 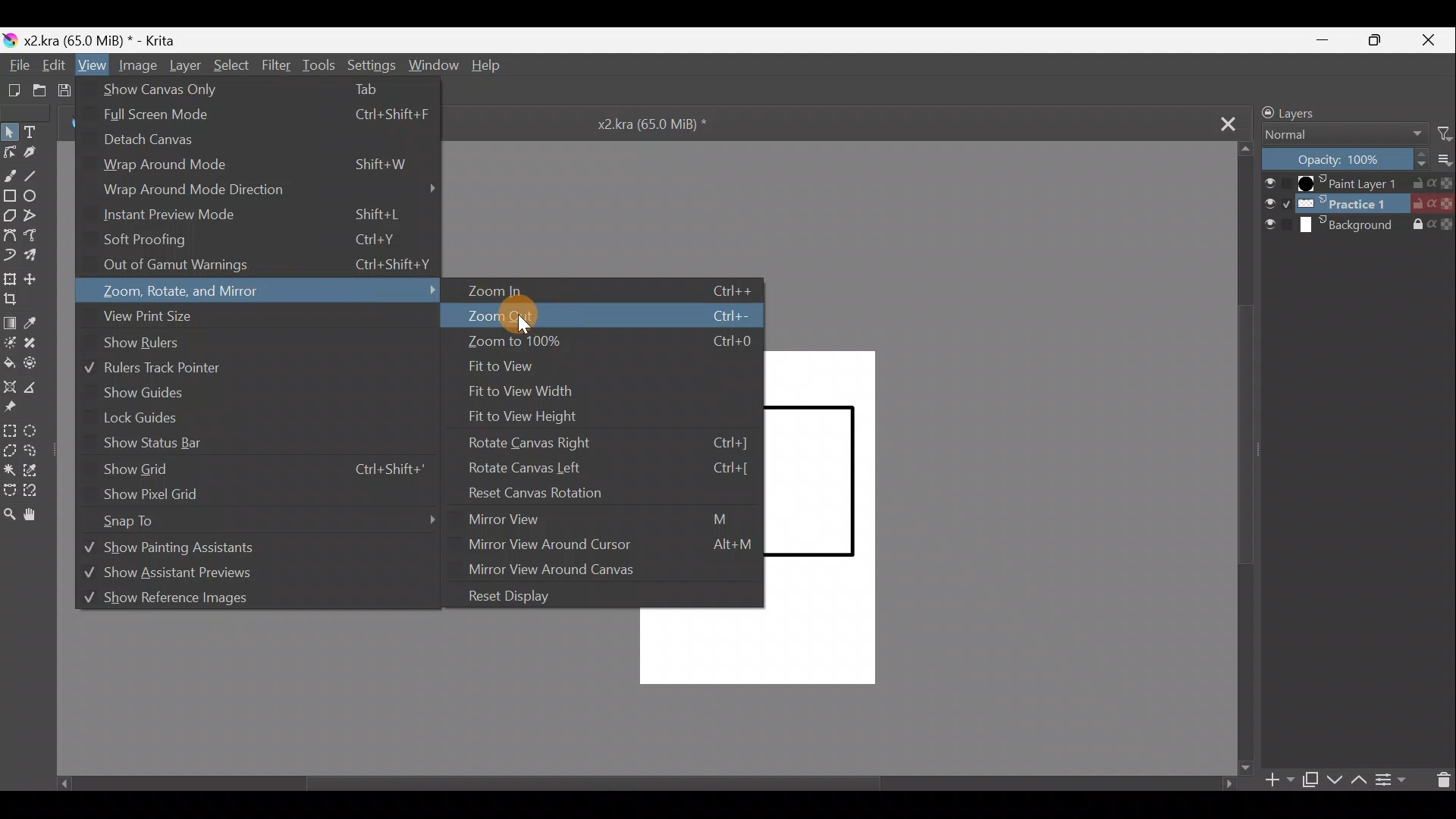 I want to click on Close tab, so click(x=1217, y=122).